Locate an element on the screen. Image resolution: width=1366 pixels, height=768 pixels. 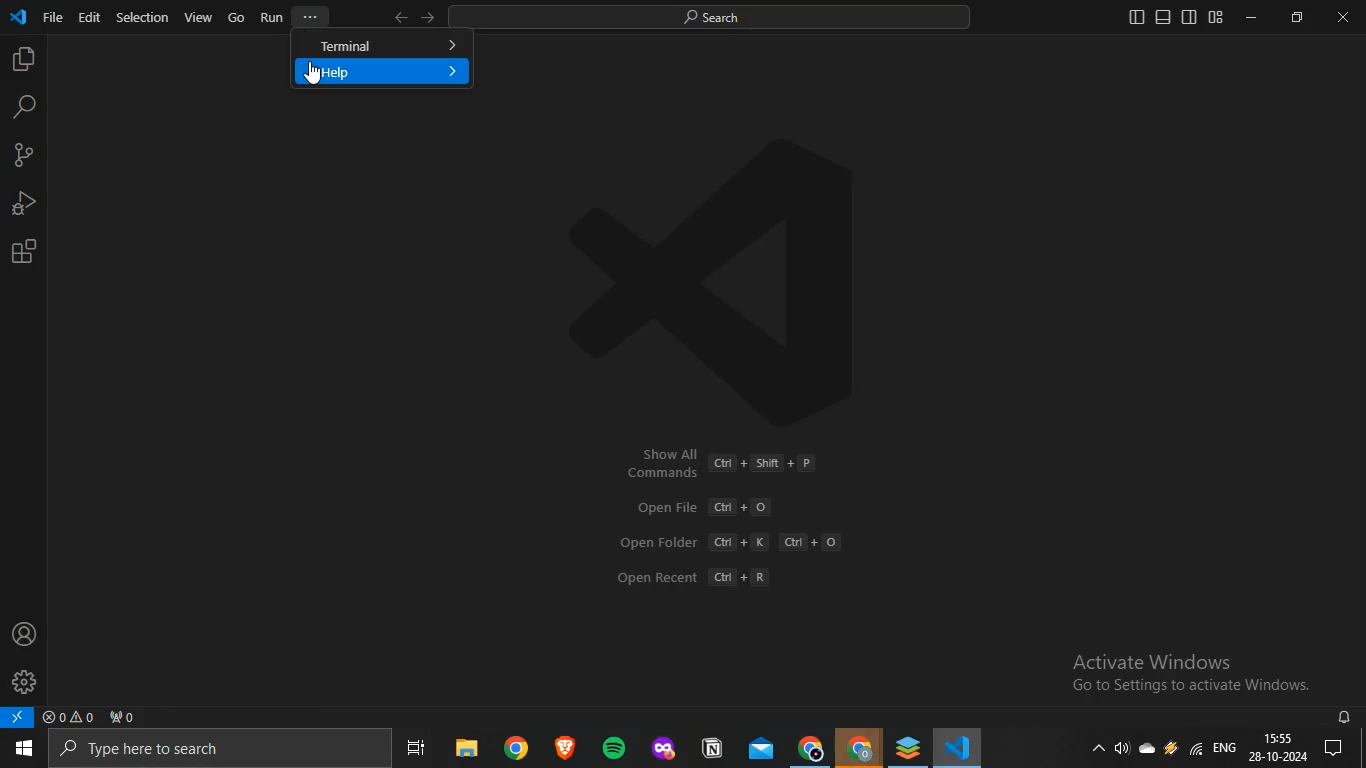
VS Logo is located at coordinates (766, 263).